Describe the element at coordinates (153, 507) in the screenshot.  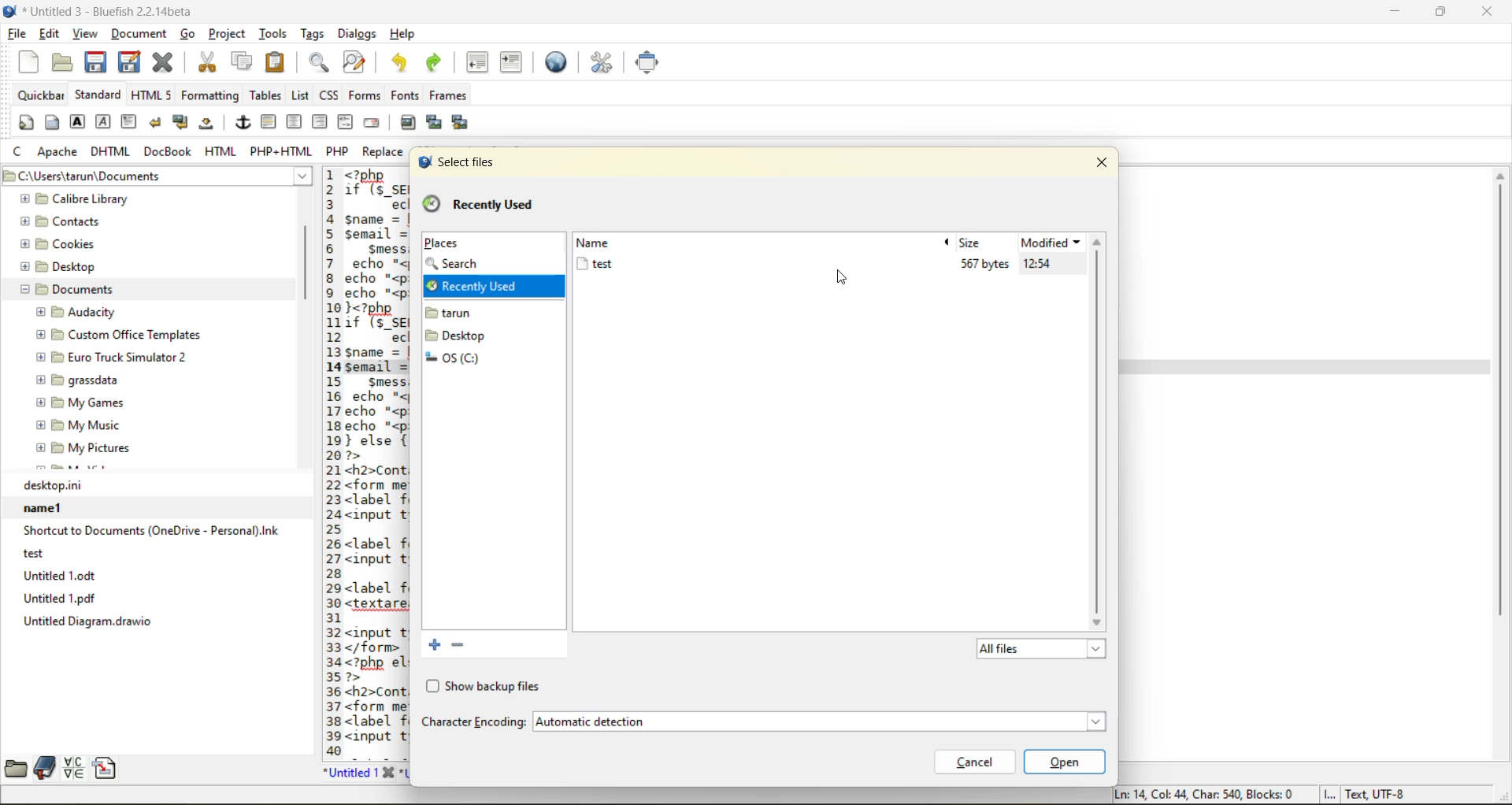
I see `name1` at that location.